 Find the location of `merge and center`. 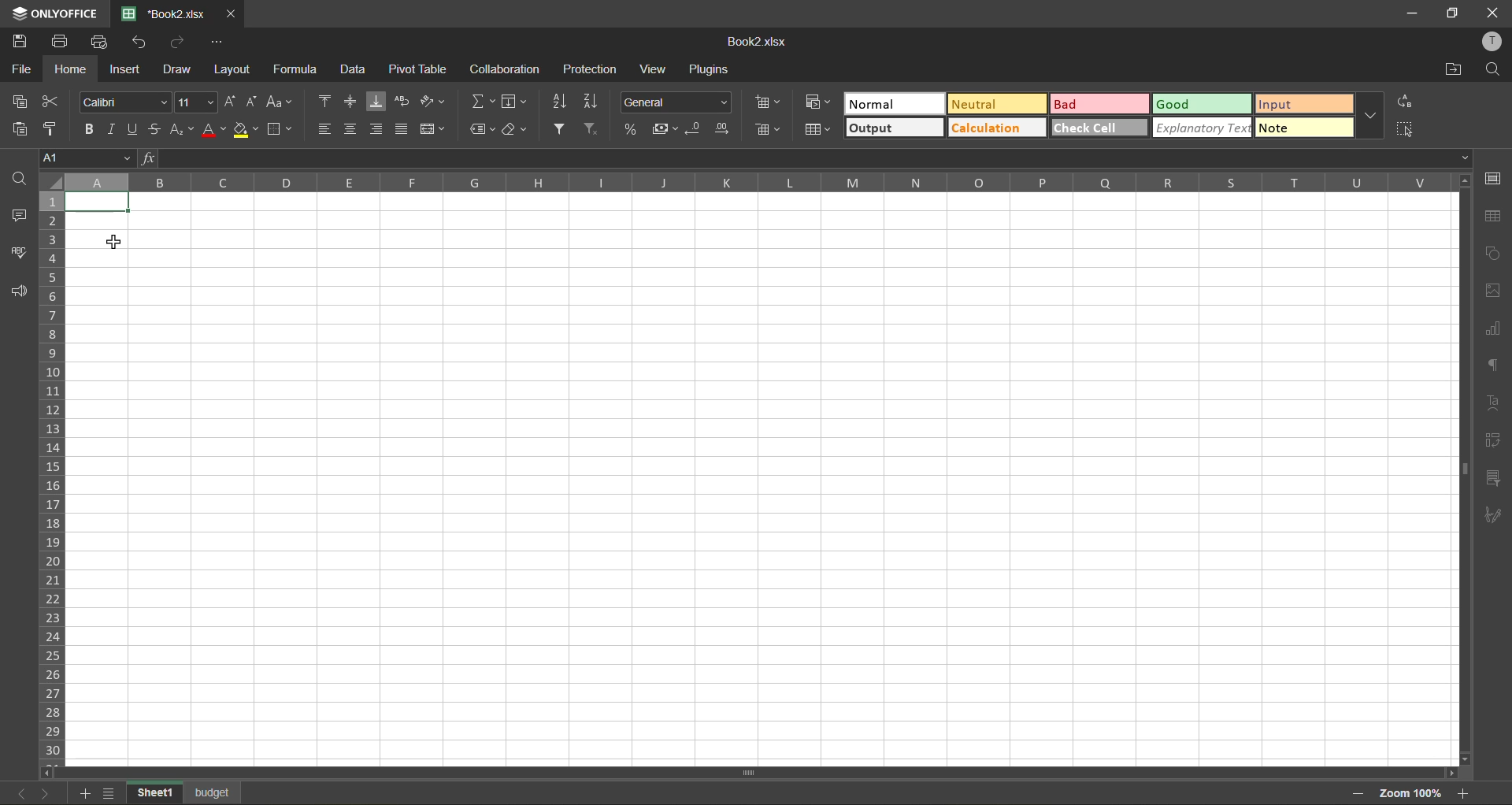

merge and center is located at coordinates (433, 129).